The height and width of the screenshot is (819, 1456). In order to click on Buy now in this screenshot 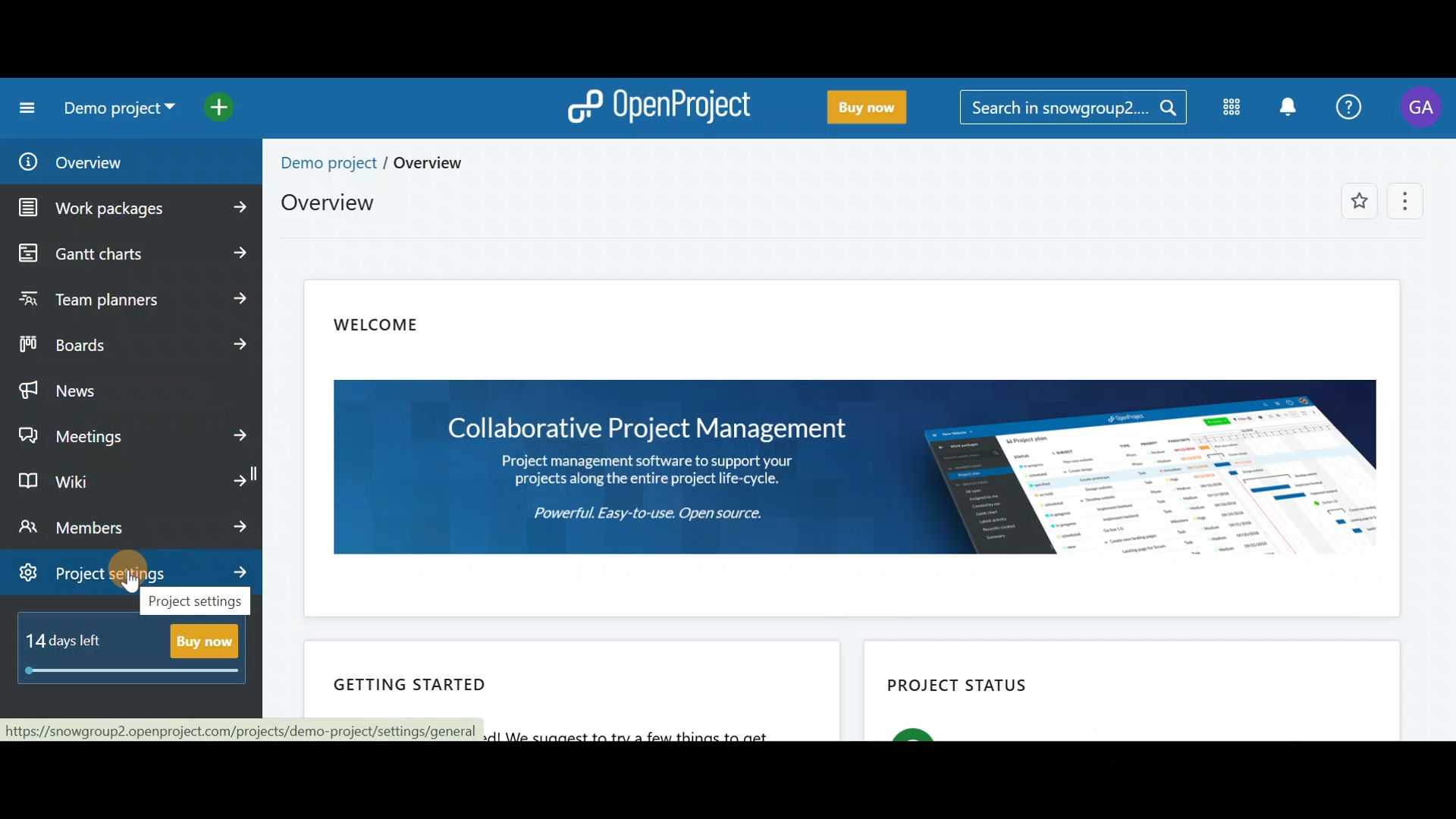, I will do `click(136, 649)`.